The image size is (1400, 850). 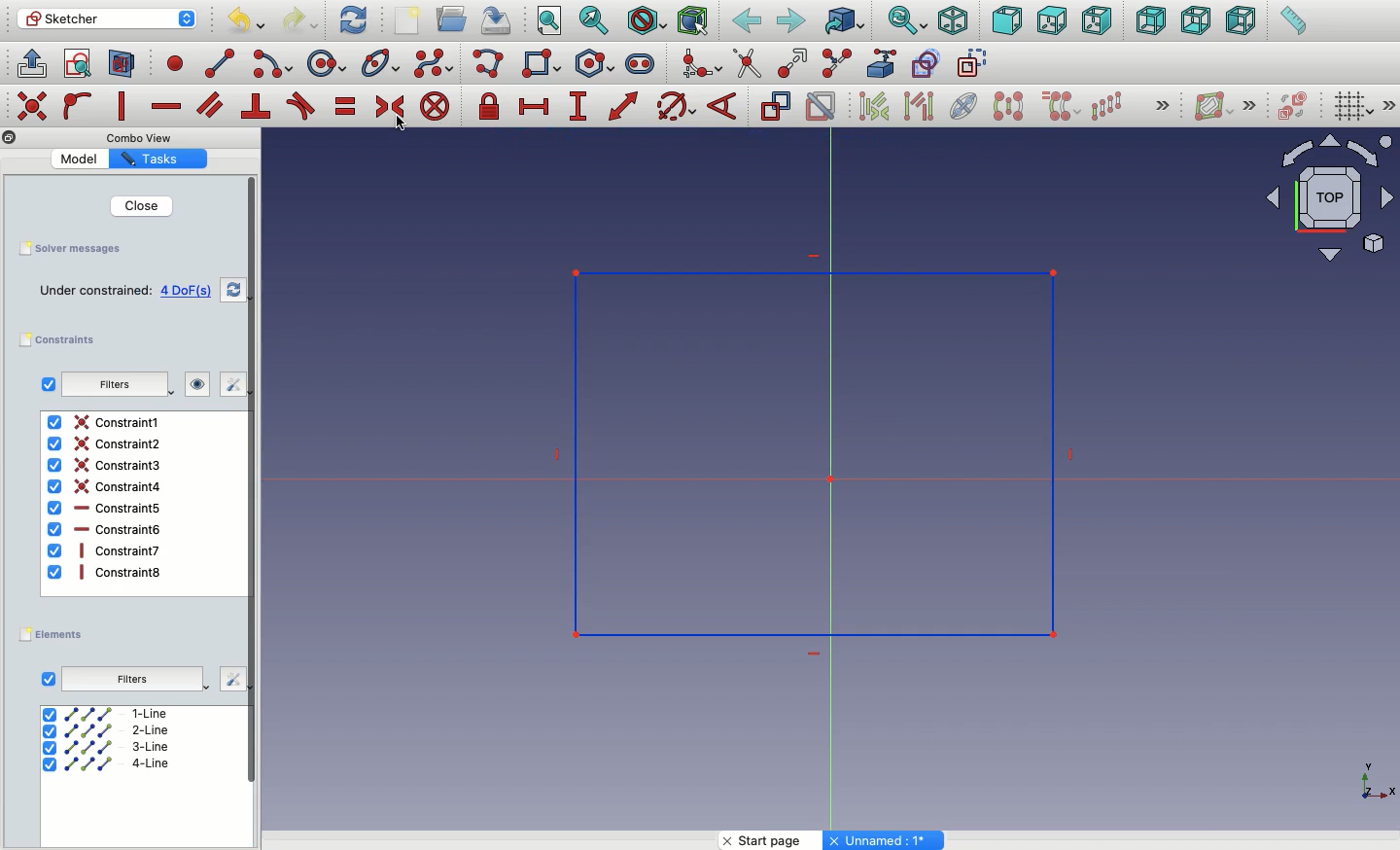 I want to click on circle, so click(x=327, y=64).